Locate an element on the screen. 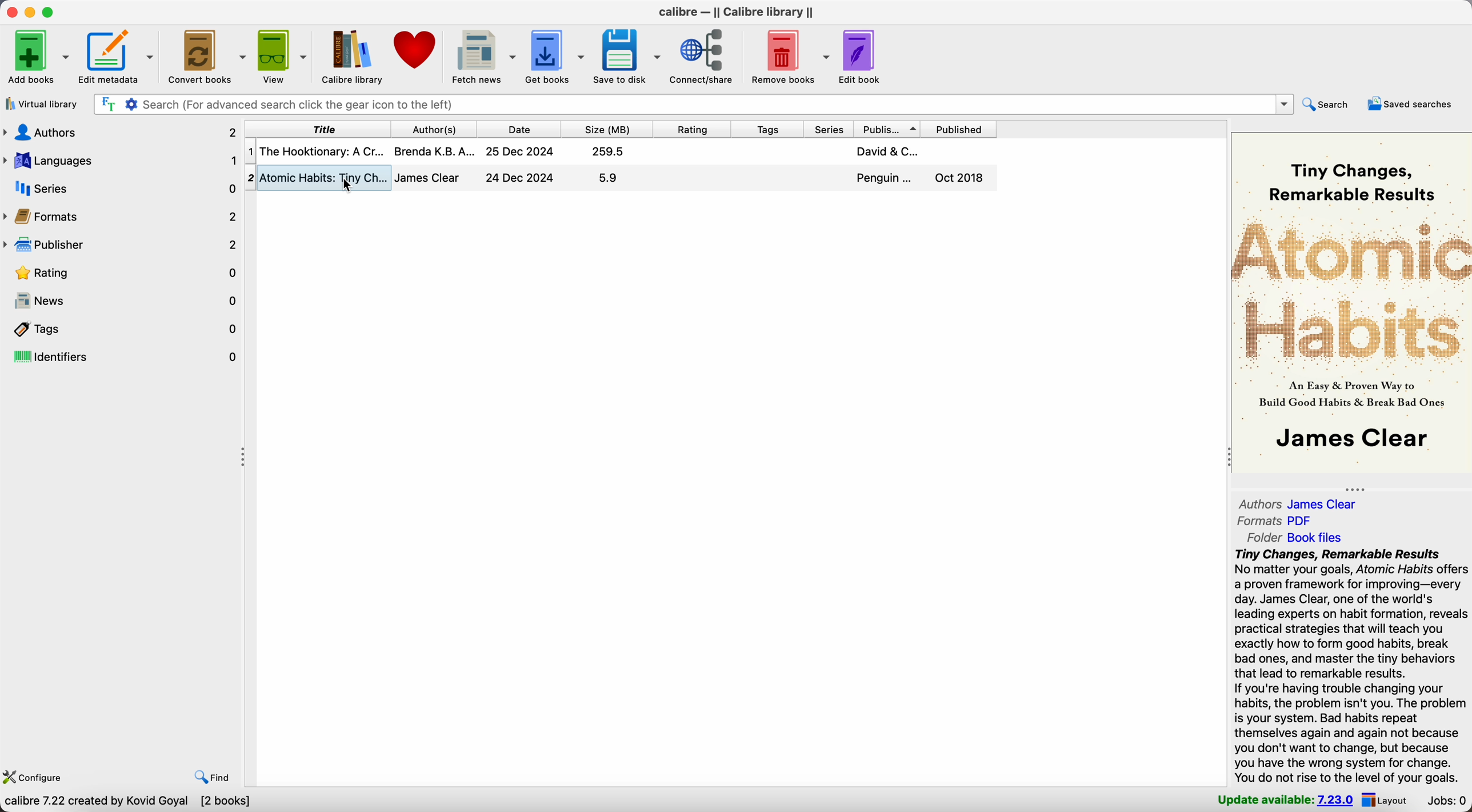 The width and height of the screenshot is (1472, 812). close Calibre is located at coordinates (10, 11).